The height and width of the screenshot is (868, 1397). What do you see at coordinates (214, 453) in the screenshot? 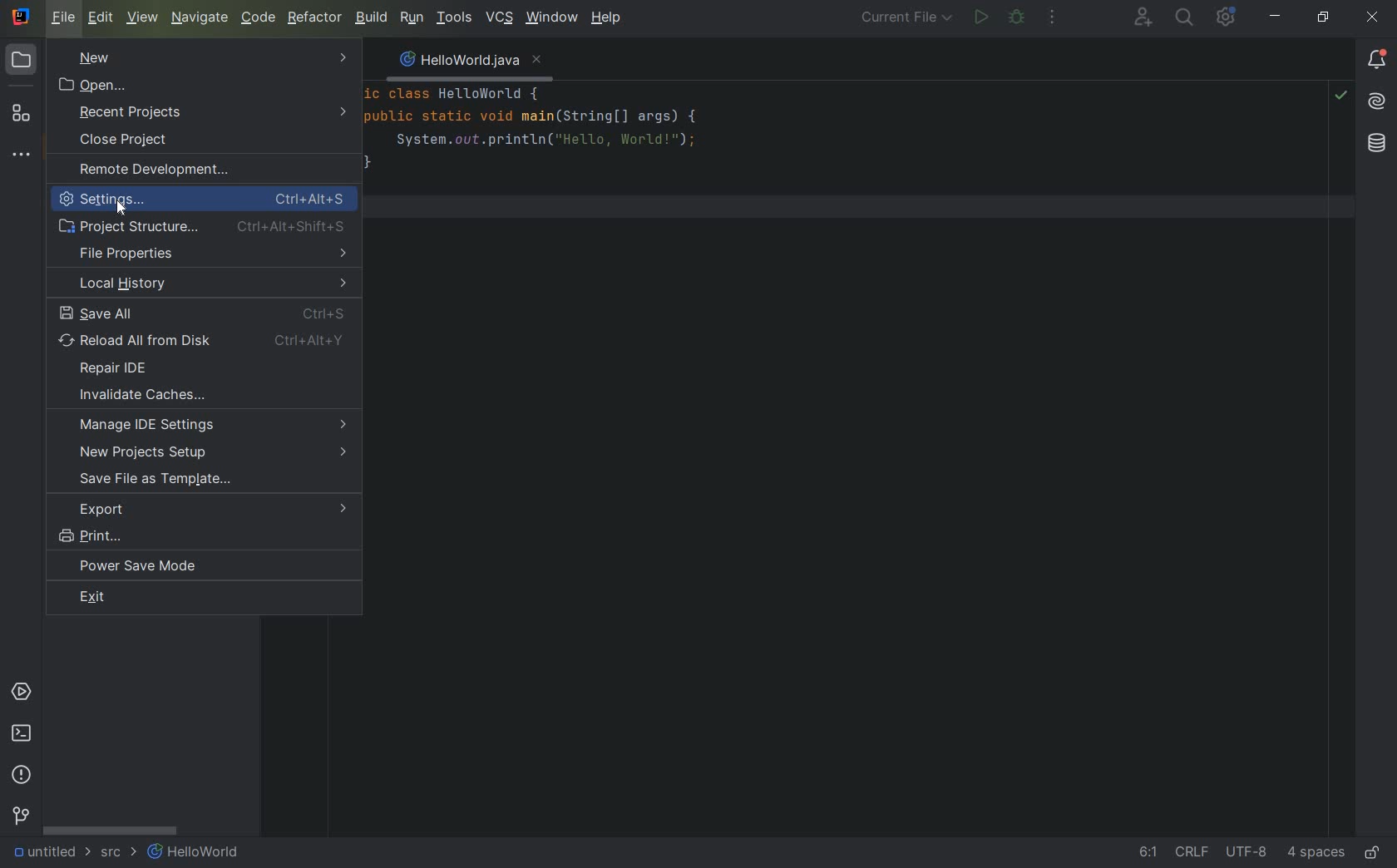
I see `new projects setup` at bounding box center [214, 453].